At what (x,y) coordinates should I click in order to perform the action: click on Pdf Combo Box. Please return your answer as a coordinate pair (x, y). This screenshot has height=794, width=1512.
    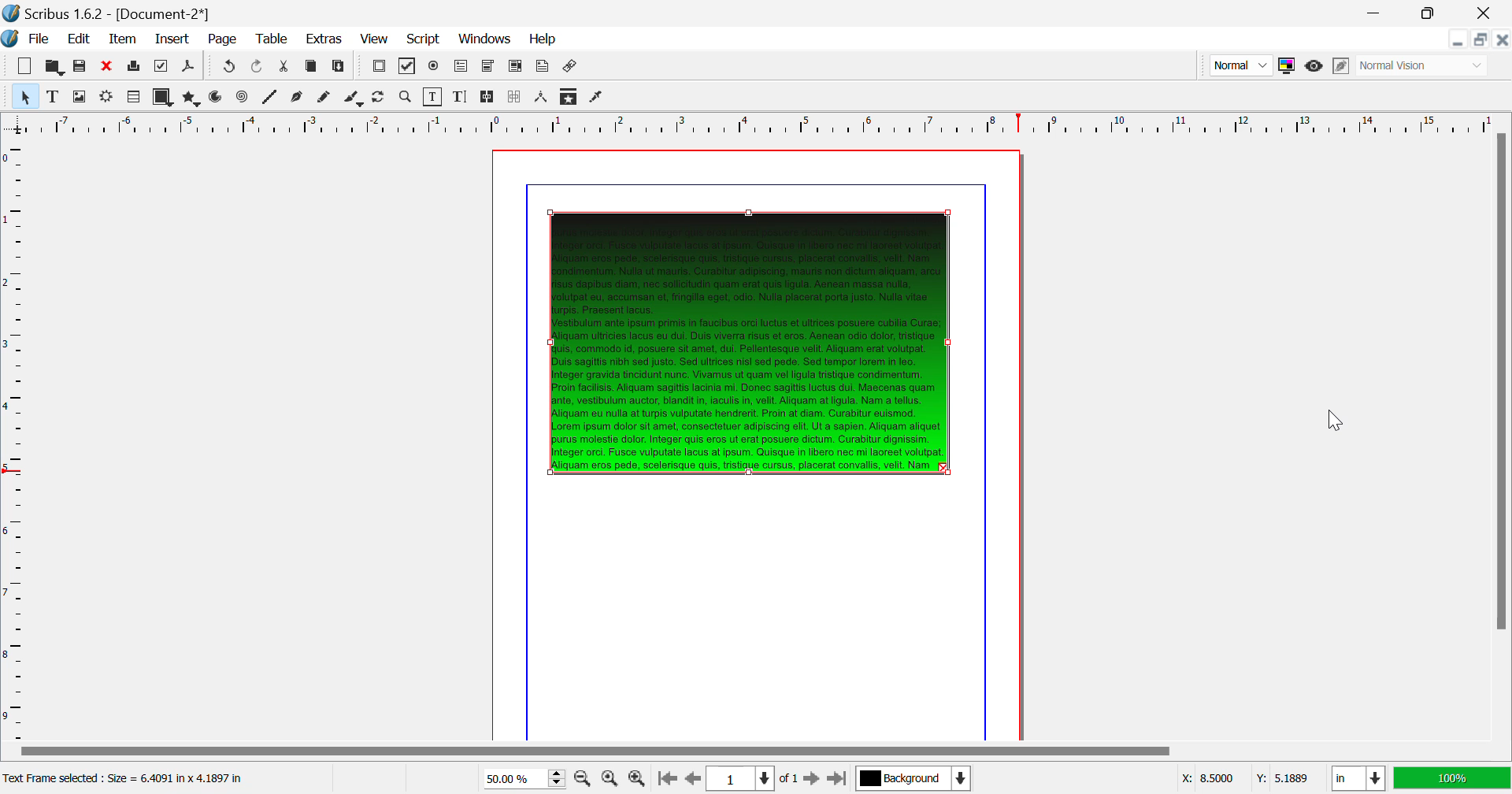
    Looking at the image, I should click on (487, 67).